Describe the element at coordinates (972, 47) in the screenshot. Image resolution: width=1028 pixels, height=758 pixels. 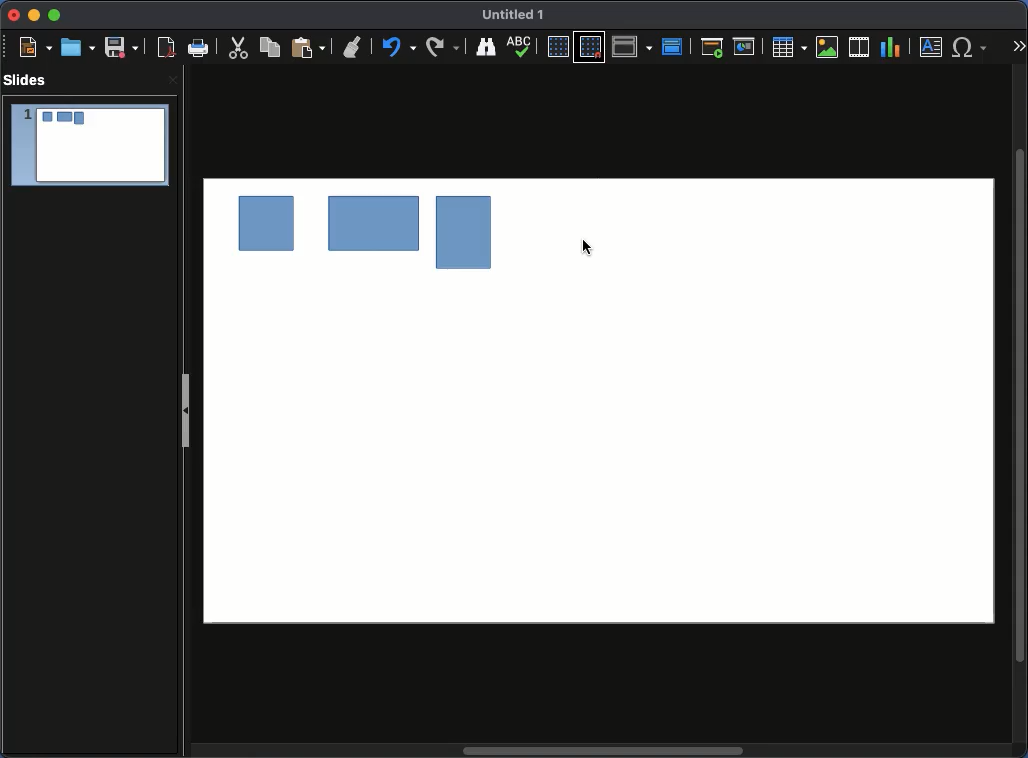
I see `Characters` at that location.